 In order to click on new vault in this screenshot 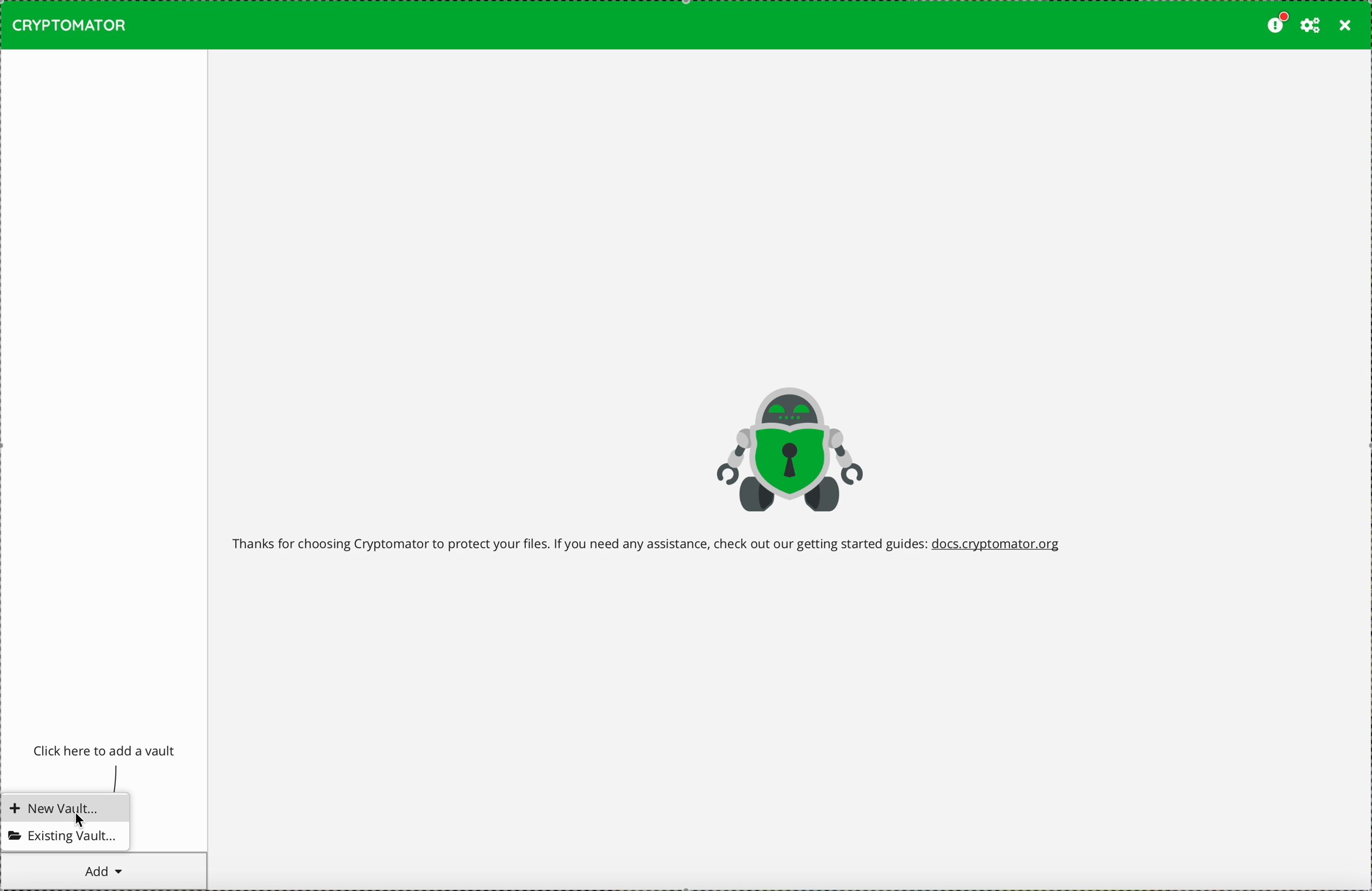, I will do `click(65, 809)`.